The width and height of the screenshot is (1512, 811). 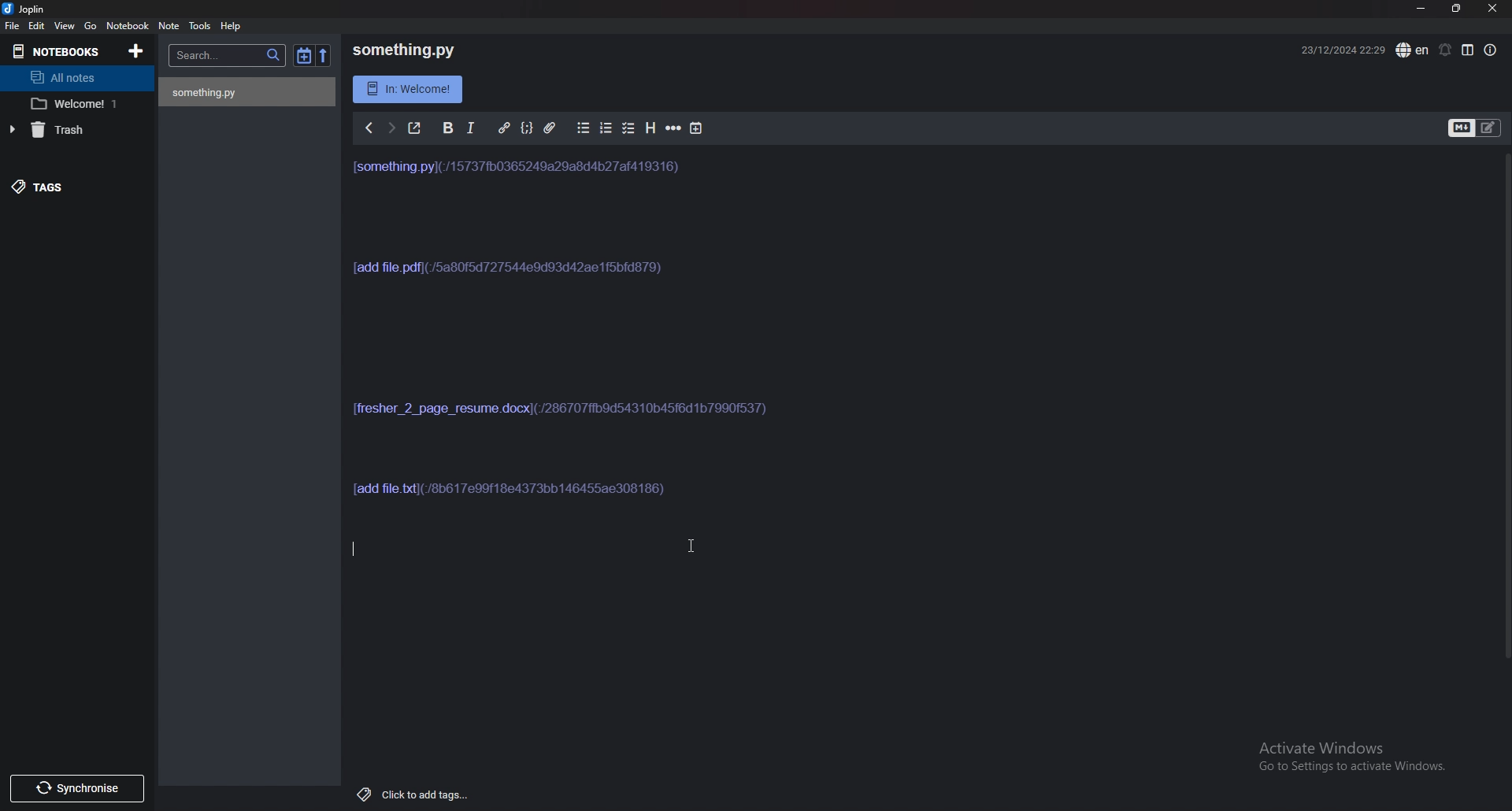 I want to click on reverse sort order, so click(x=323, y=56).